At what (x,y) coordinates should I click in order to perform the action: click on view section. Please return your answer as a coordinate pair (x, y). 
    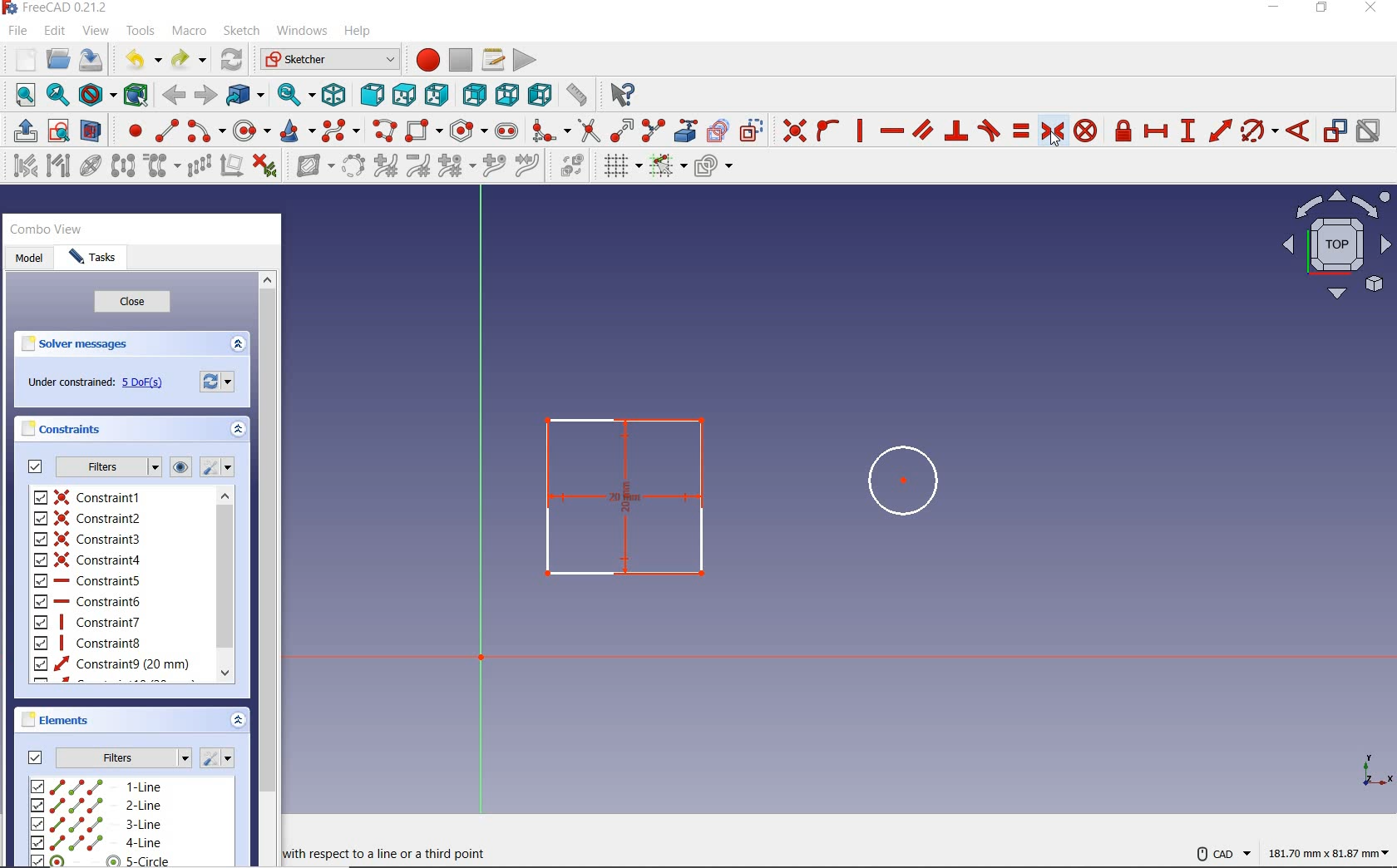
    Looking at the image, I should click on (92, 129).